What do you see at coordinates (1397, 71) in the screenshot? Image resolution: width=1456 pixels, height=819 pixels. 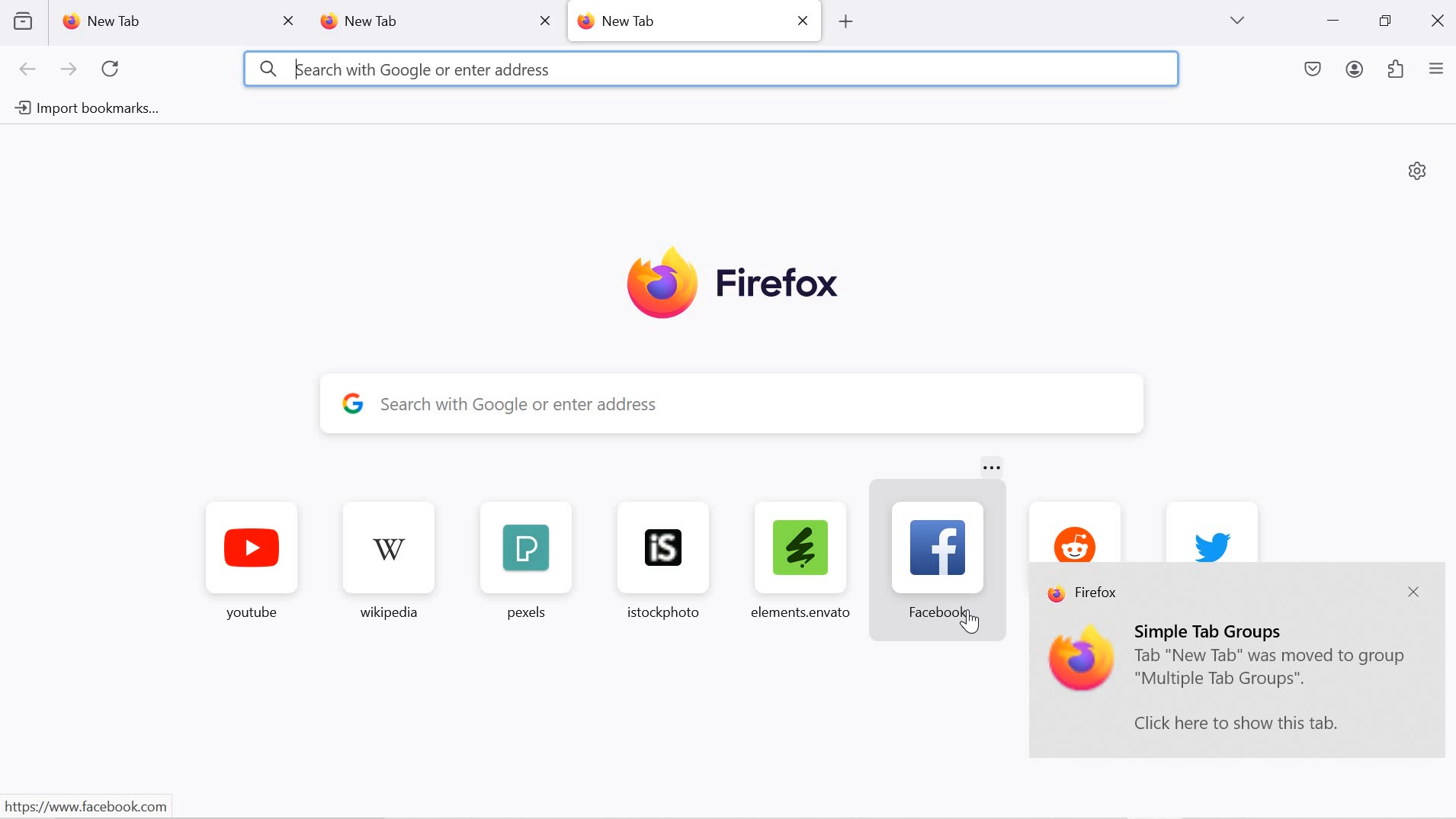 I see `extensions` at bounding box center [1397, 71].